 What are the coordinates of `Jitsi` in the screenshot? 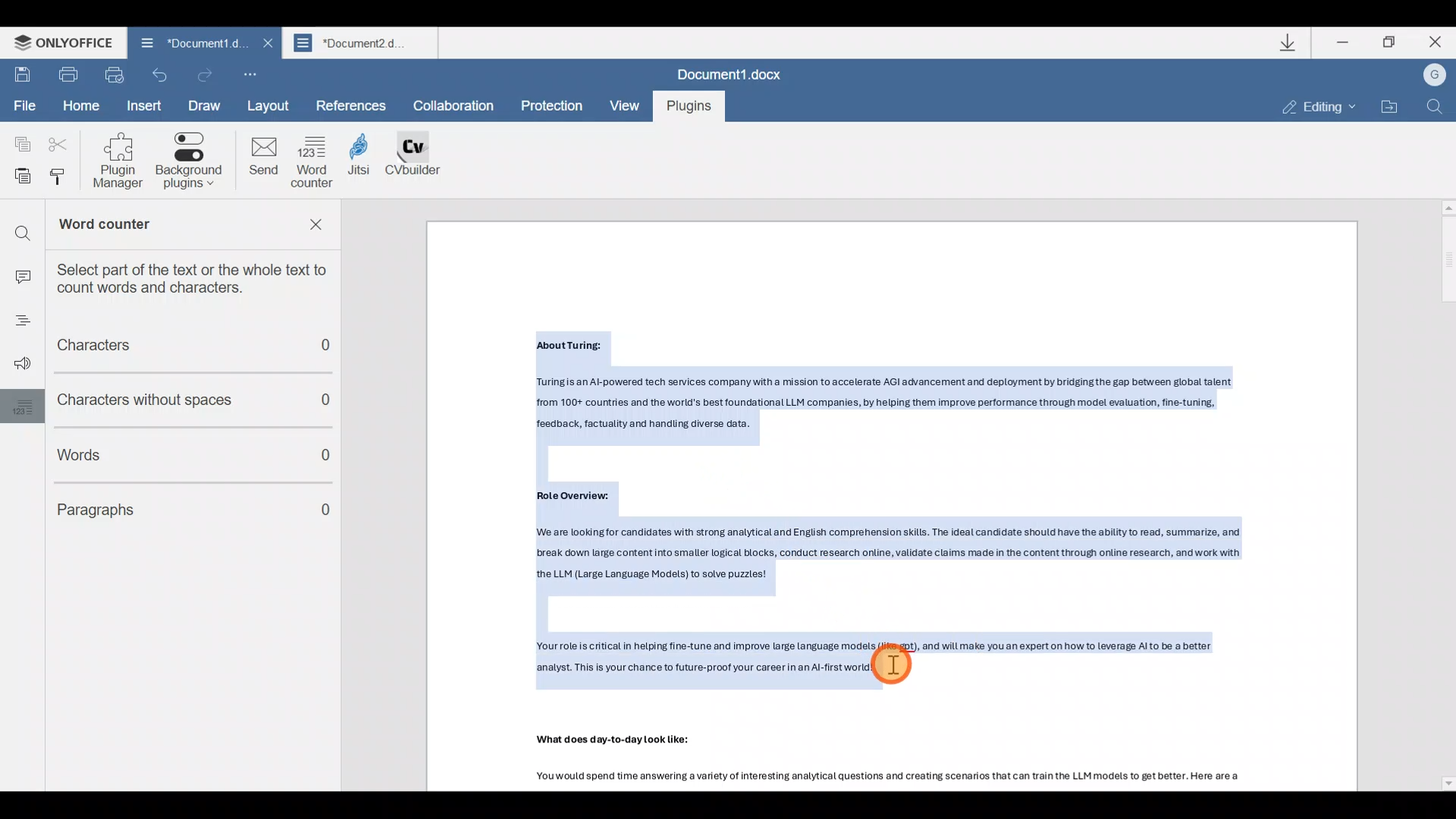 It's located at (368, 165).